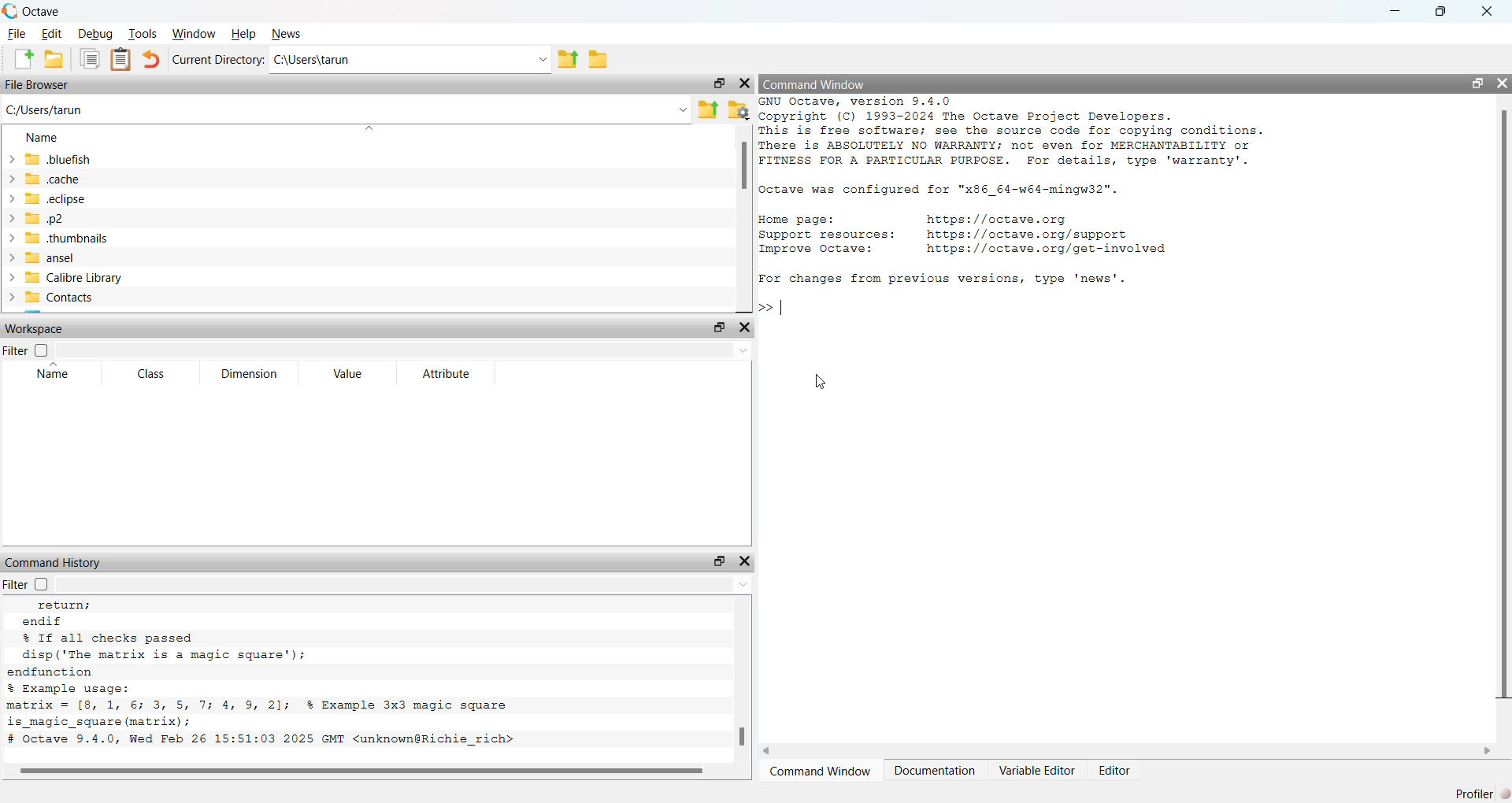  I want to click on maximize, so click(719, 83).